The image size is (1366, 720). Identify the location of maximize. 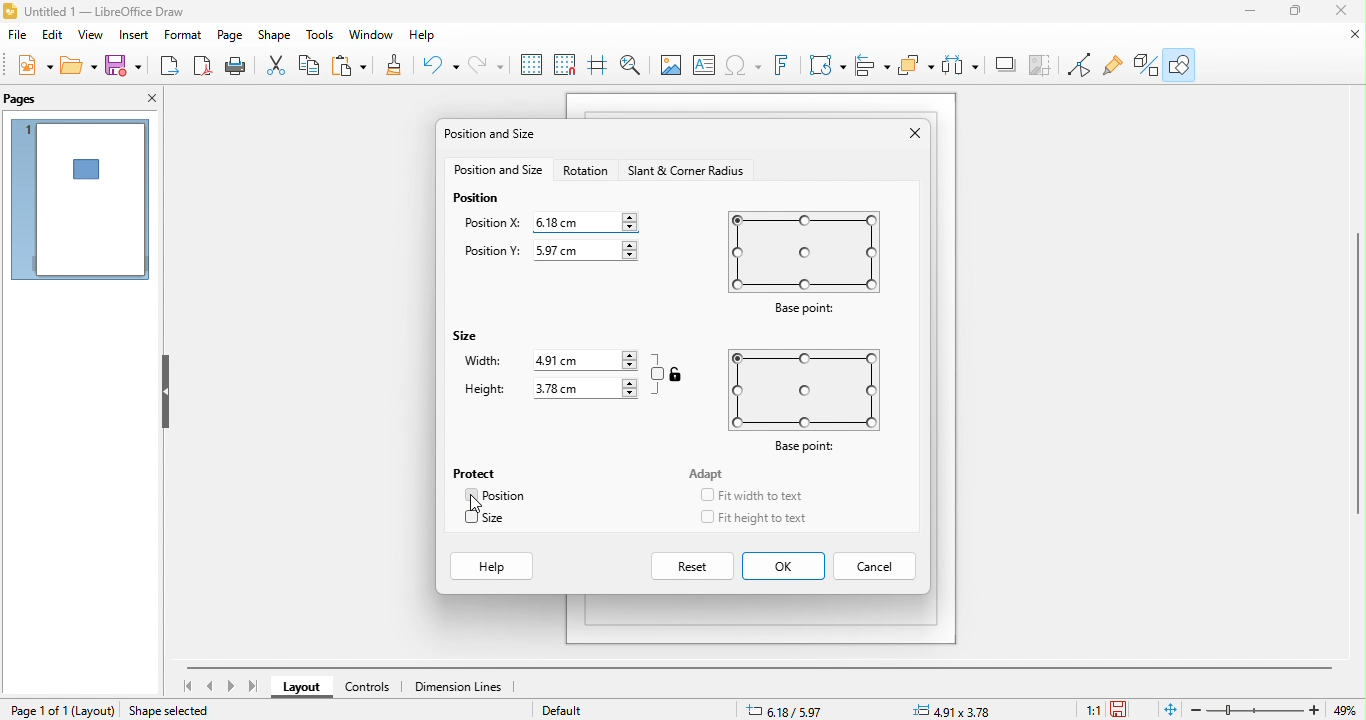
(1297, 11).